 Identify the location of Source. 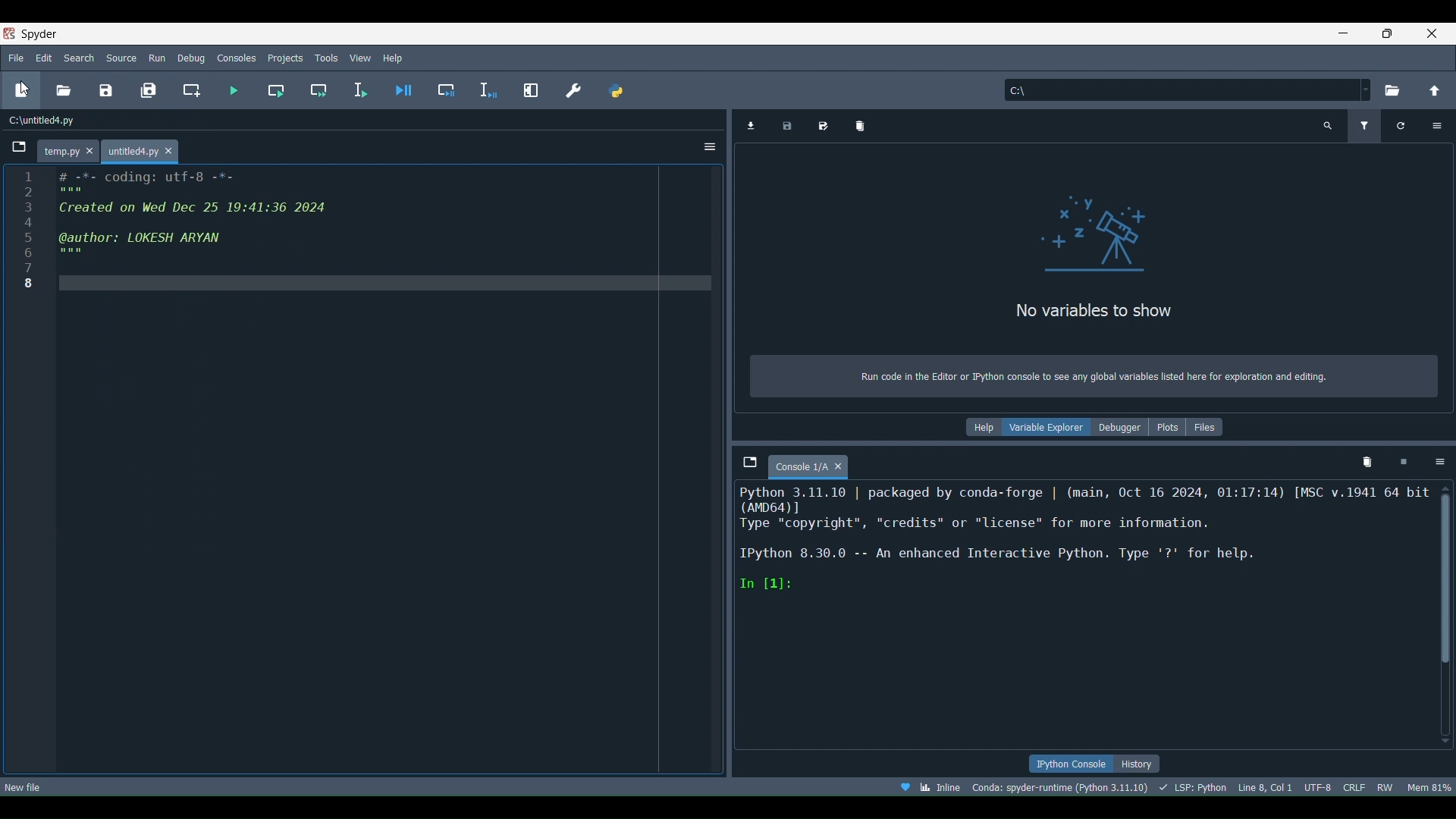
(121, 56).